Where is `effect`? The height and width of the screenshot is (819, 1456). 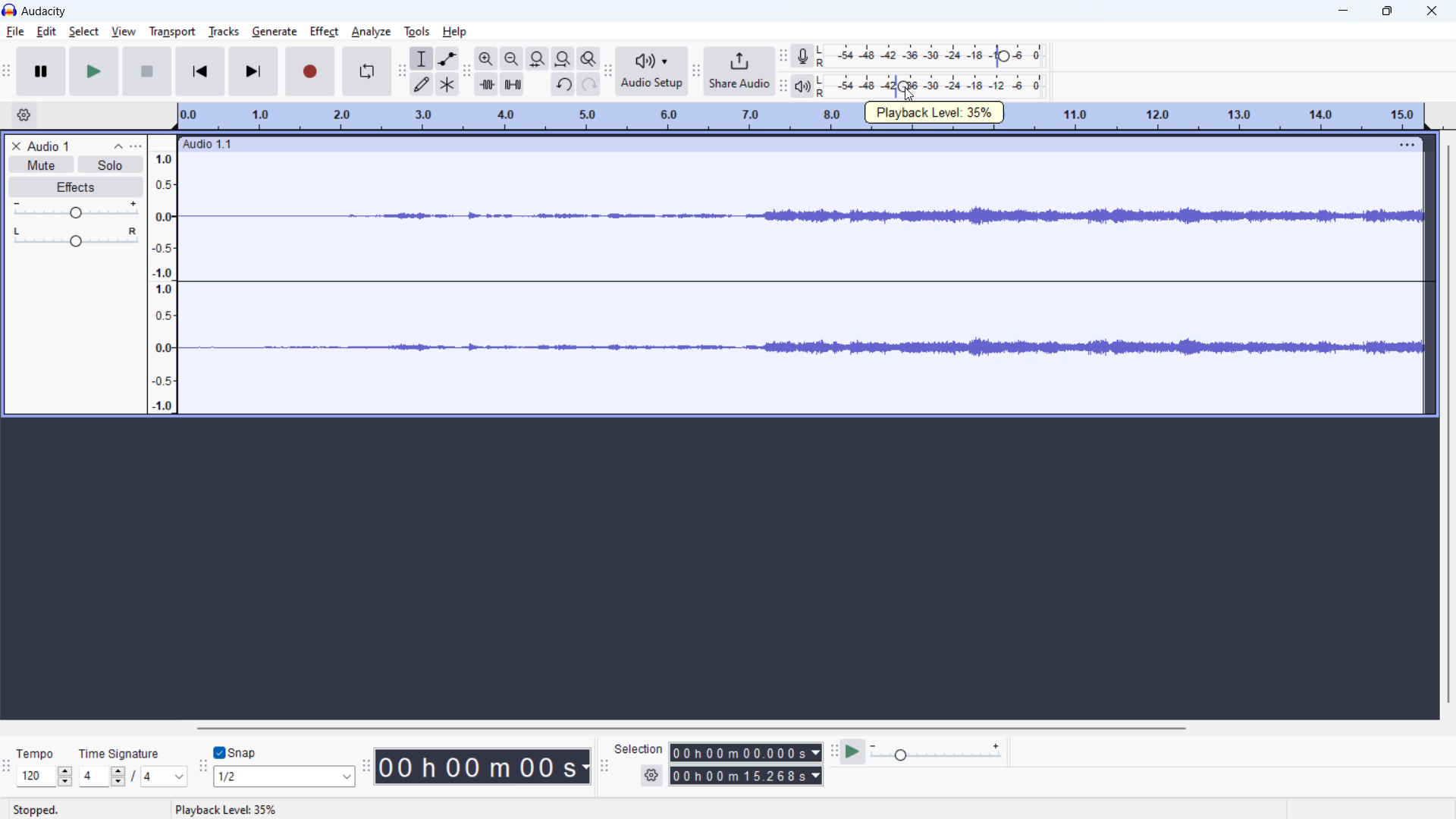 effect is located at coordinates (325, 32).